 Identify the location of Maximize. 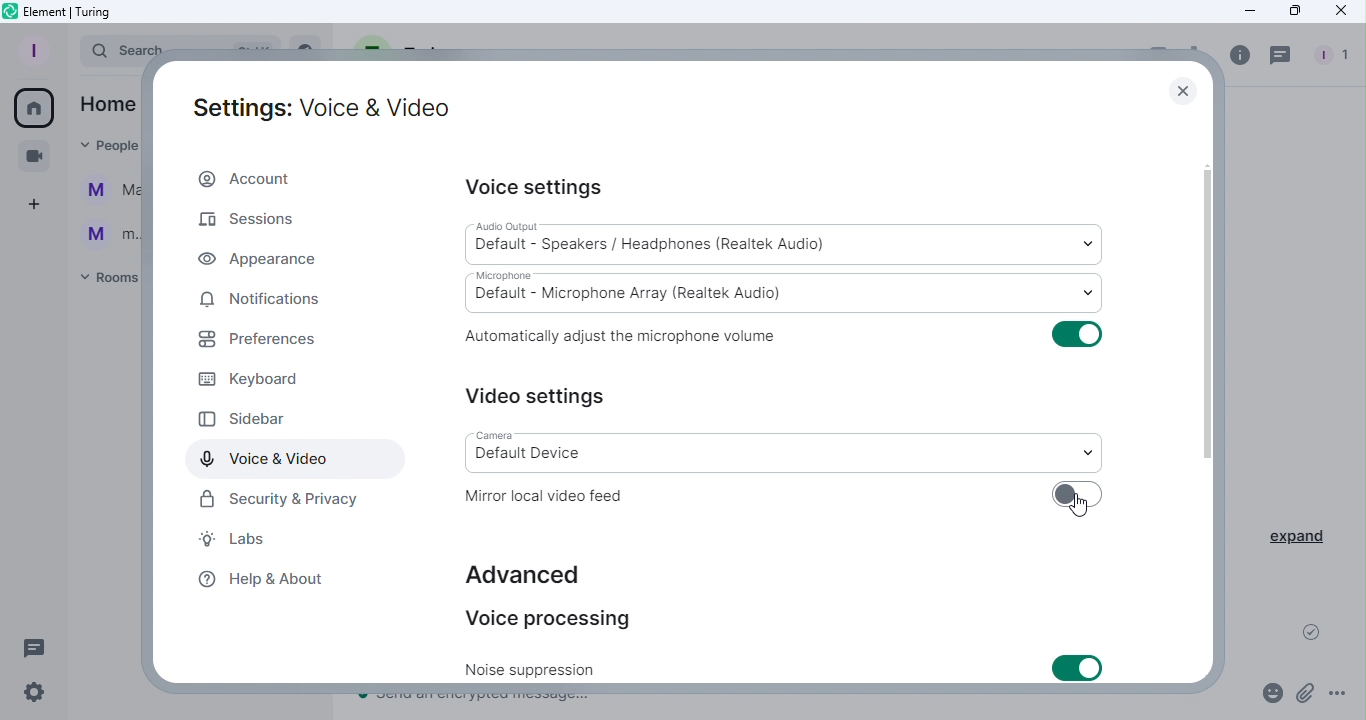
(1288, 12).